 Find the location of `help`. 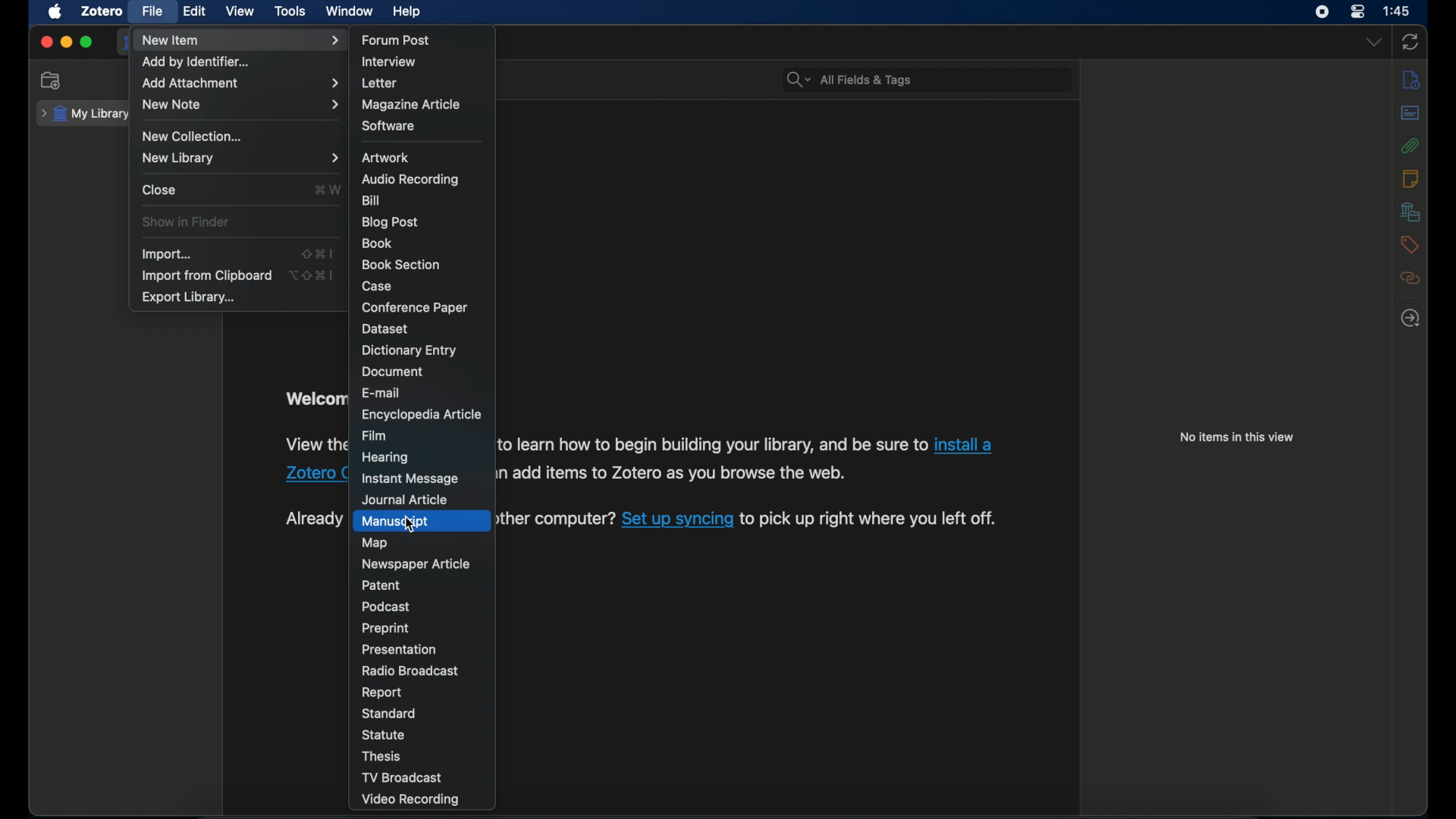

help is located at coordinates (406, 11).